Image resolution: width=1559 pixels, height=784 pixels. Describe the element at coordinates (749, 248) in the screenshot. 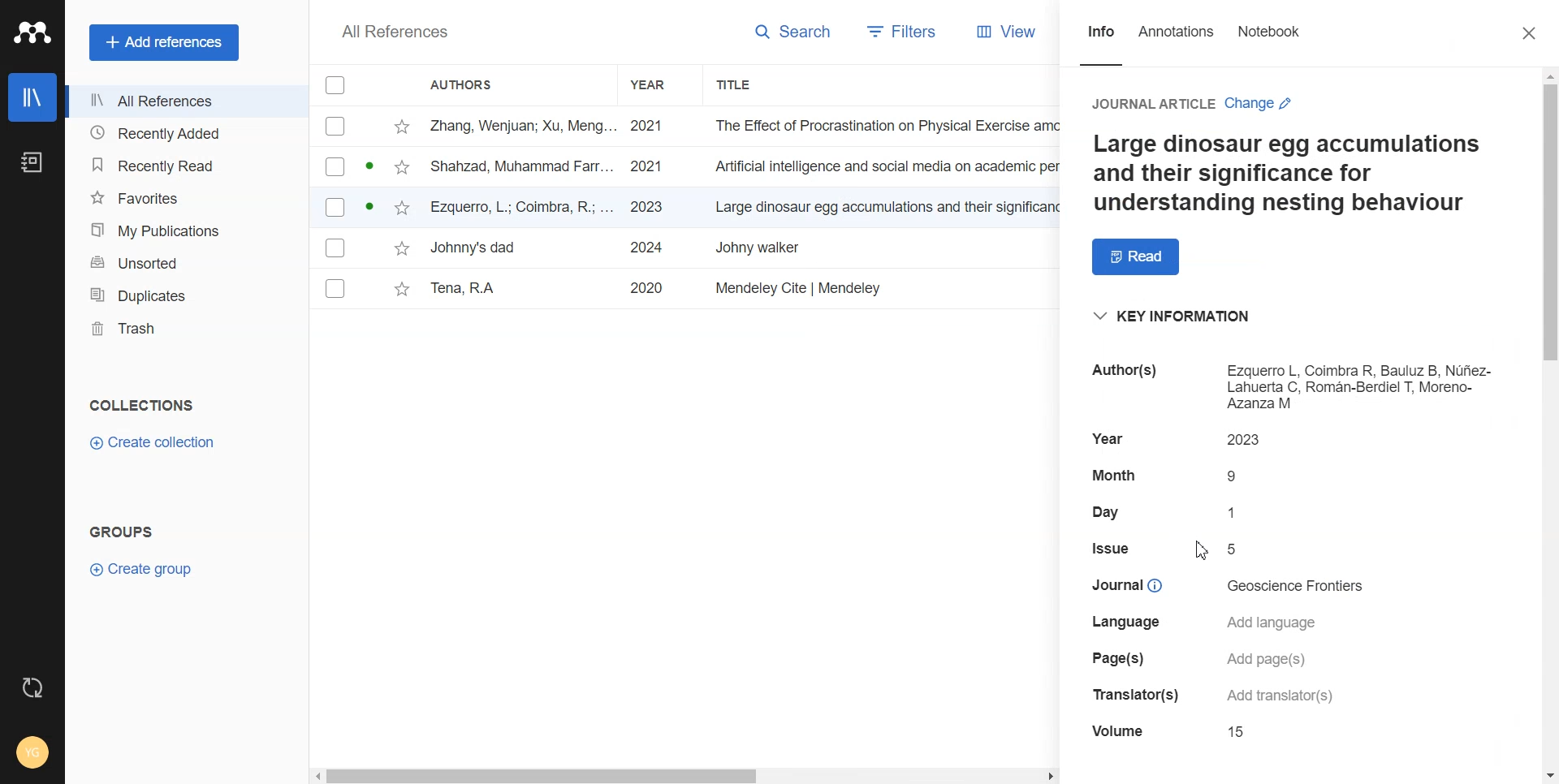

I see `File` at that location.